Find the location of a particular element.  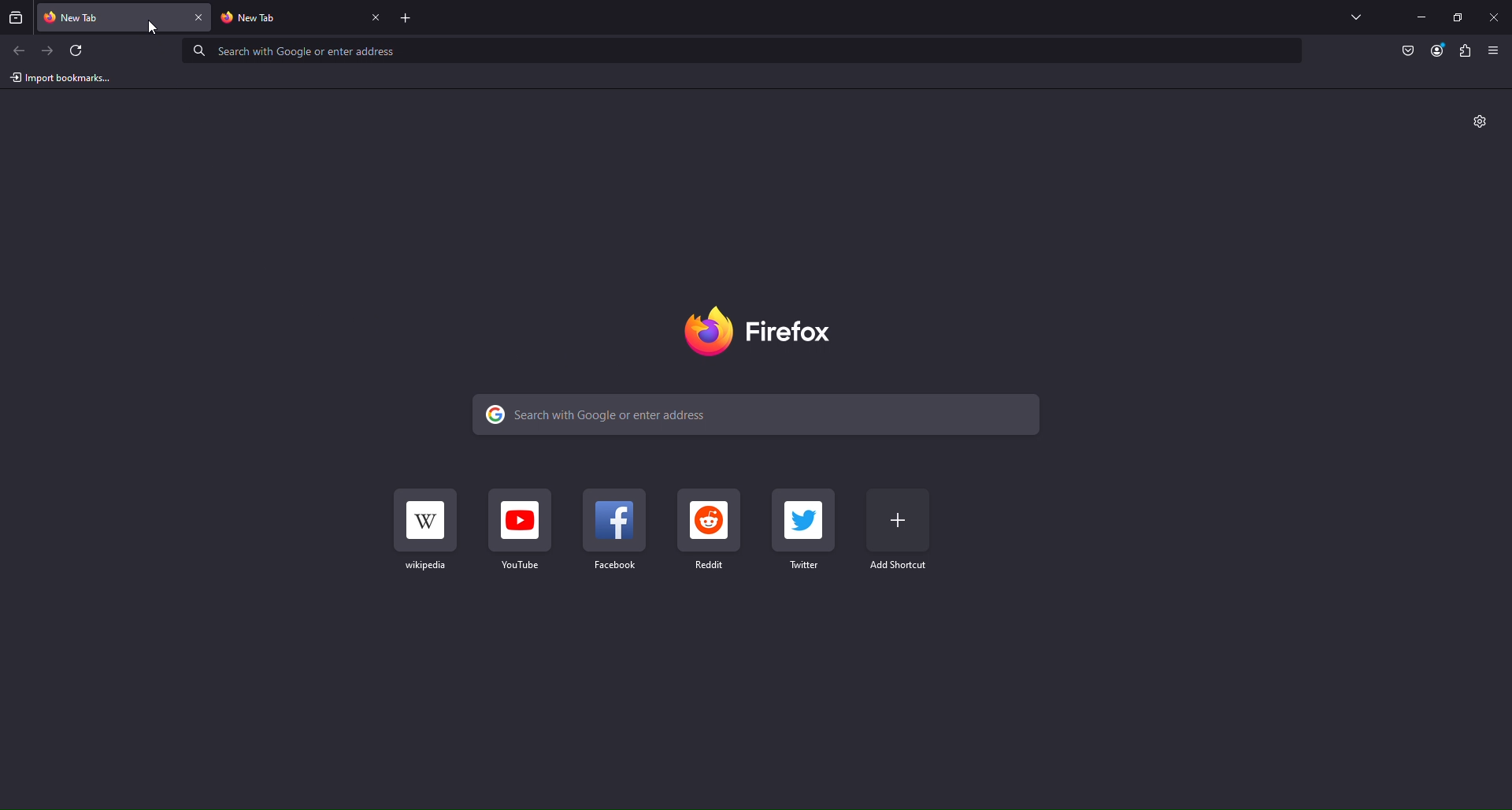

View browsing from previous tabs and windows is located at coordinates (15, 17).